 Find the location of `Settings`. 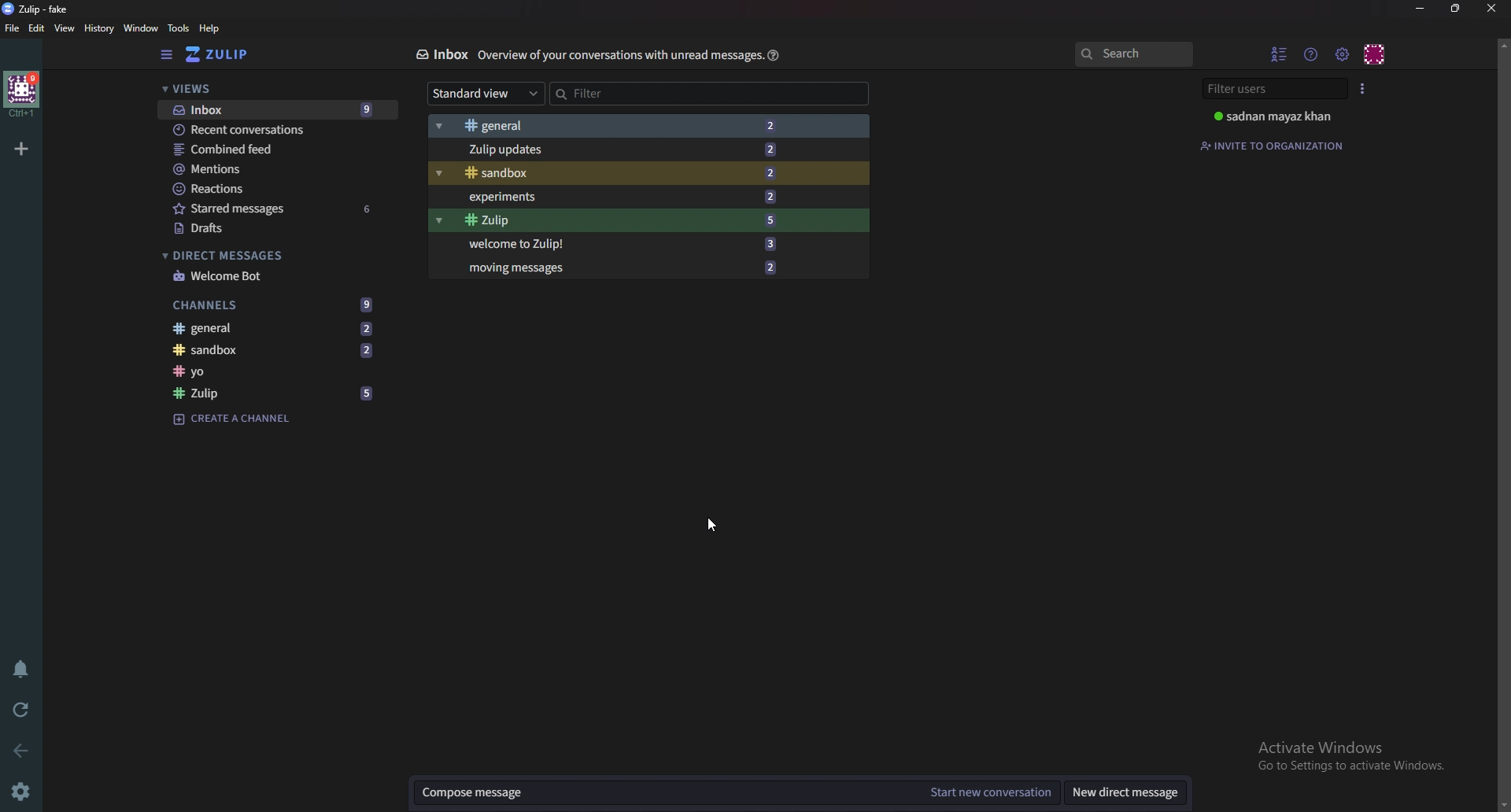

Settings is located at coordinates (19, 793).